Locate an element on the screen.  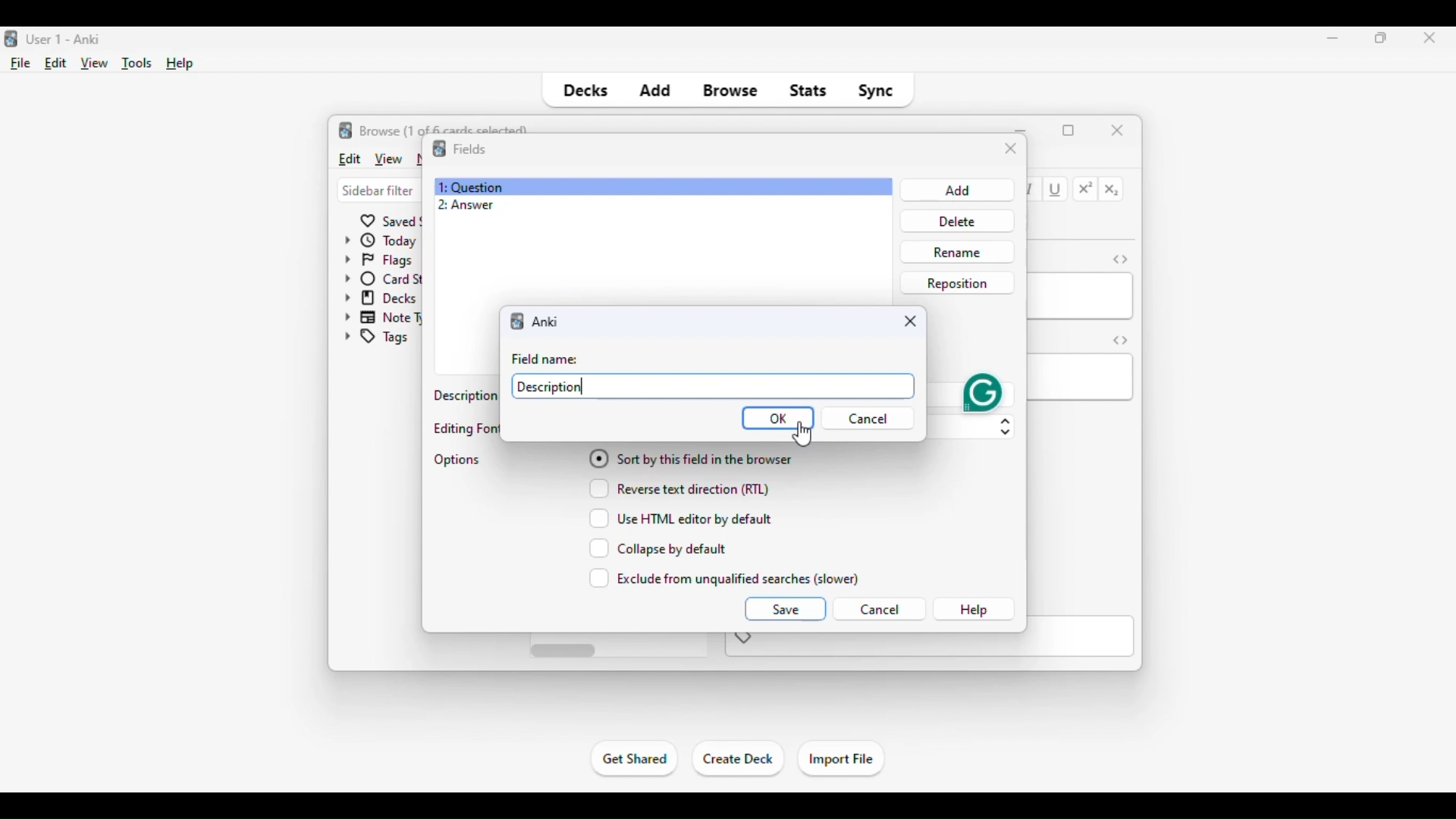
maximize is located at coordinates (1382, 37).